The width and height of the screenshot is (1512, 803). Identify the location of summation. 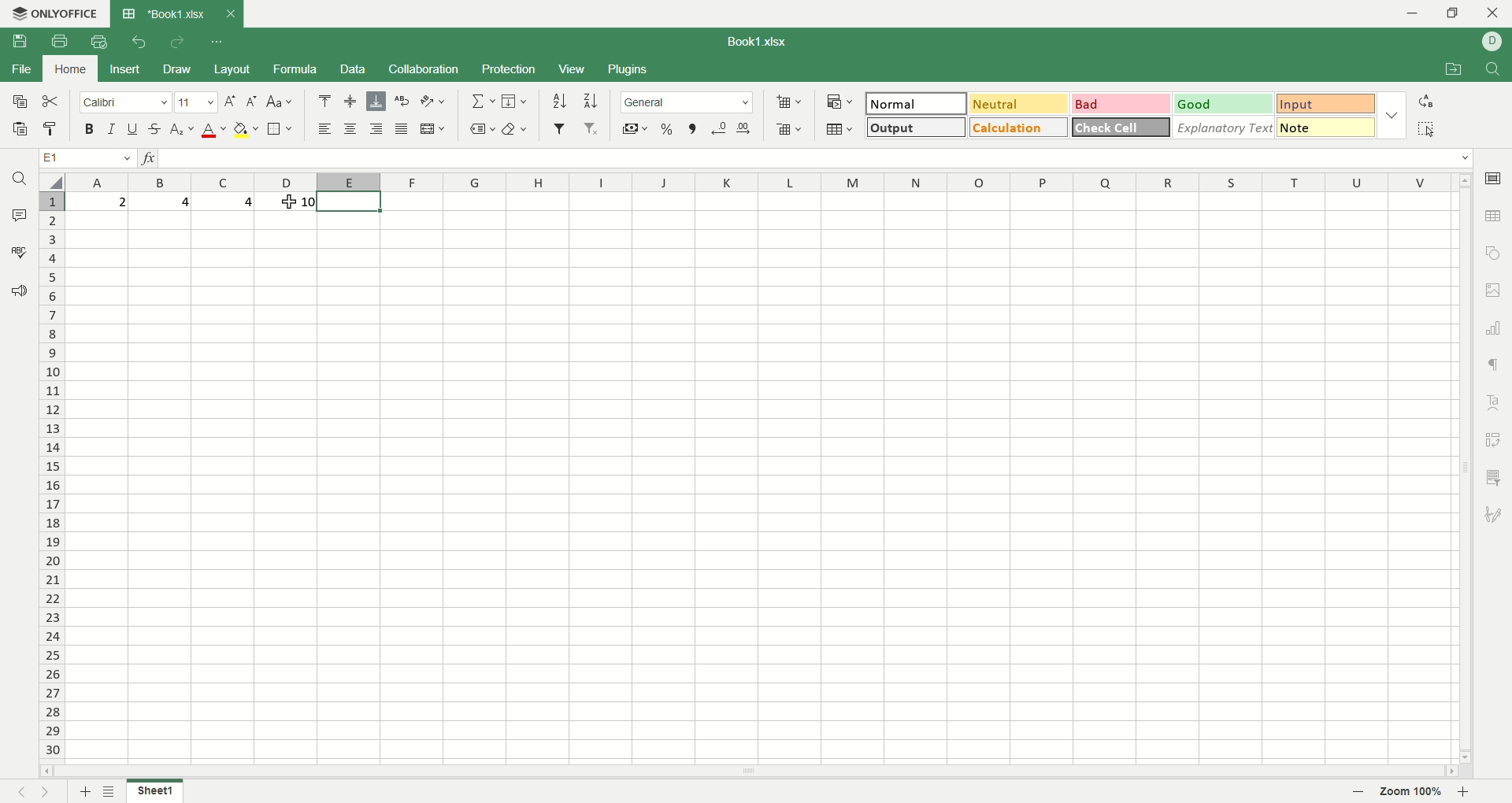
(480, 102).